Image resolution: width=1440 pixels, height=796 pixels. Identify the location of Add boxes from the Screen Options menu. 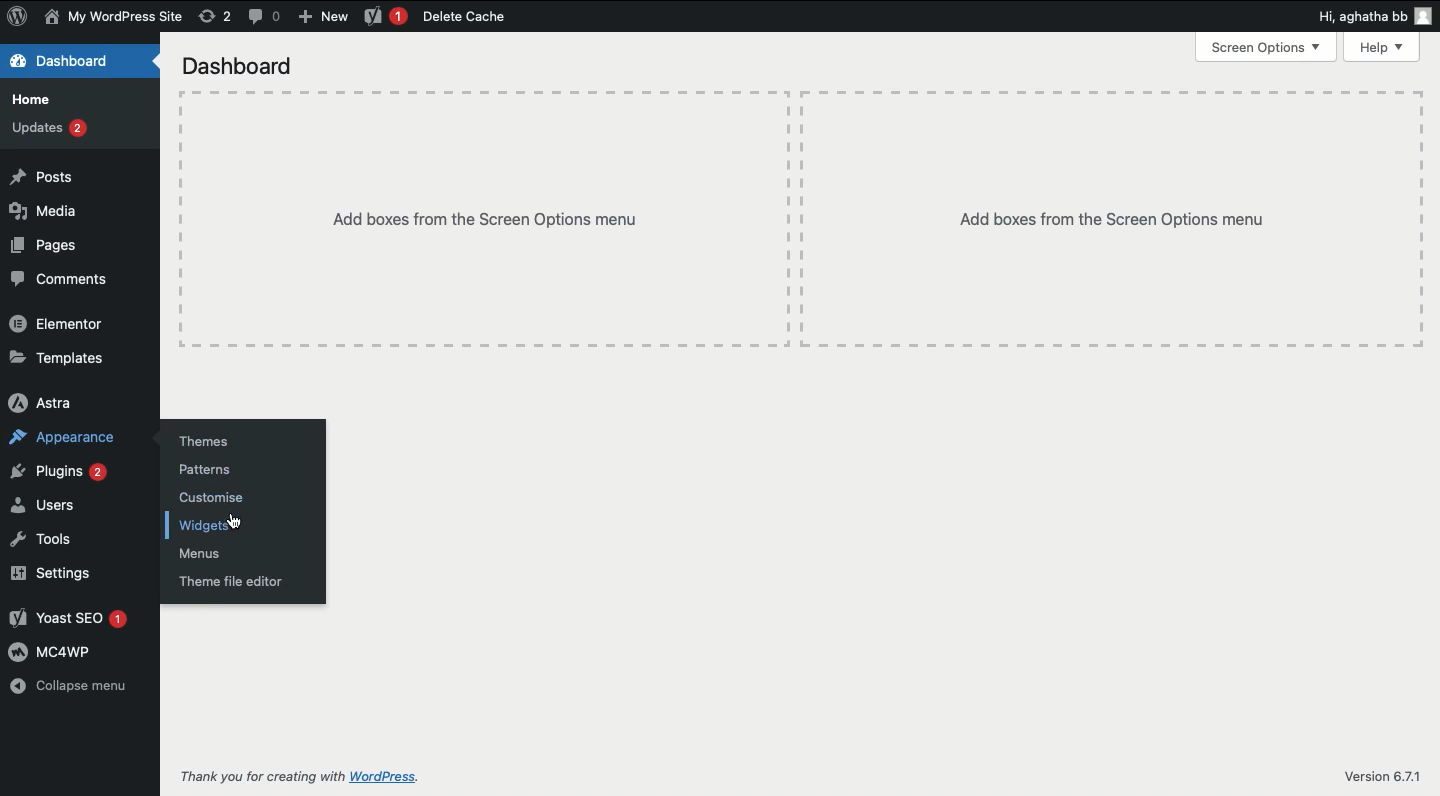
(472, 198).